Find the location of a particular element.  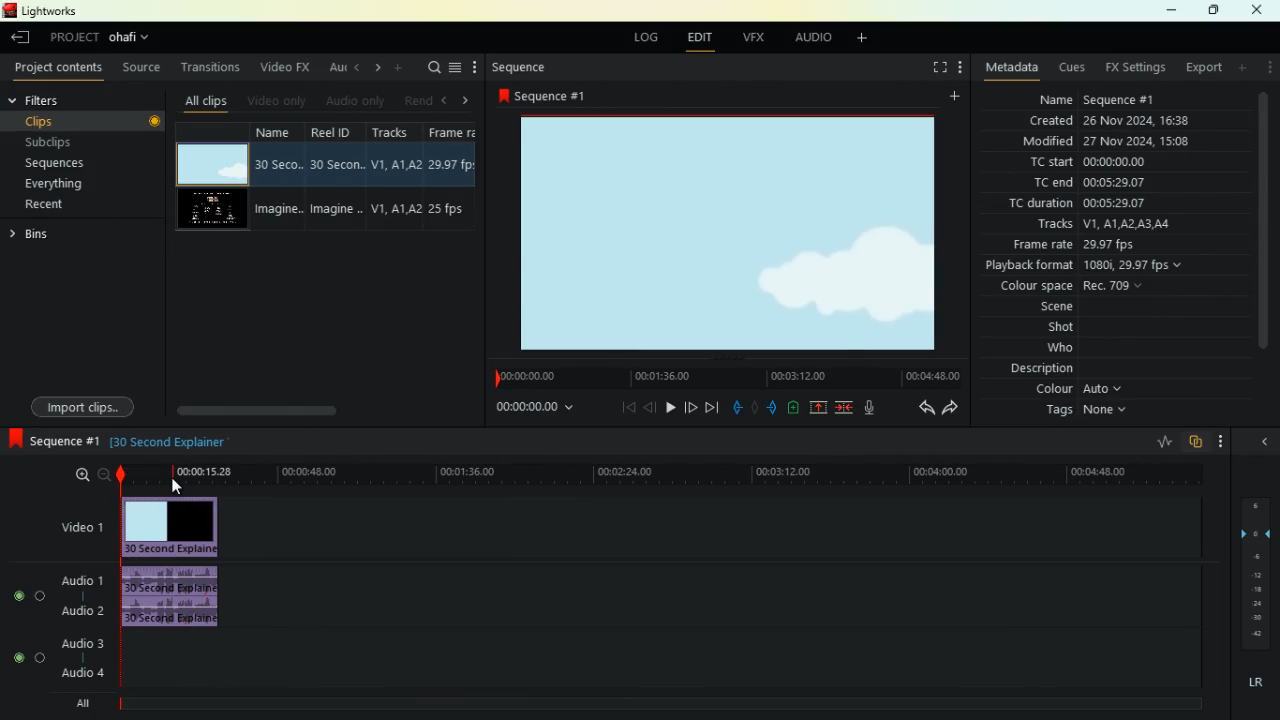

audio only is located at coordinates (359, 100).